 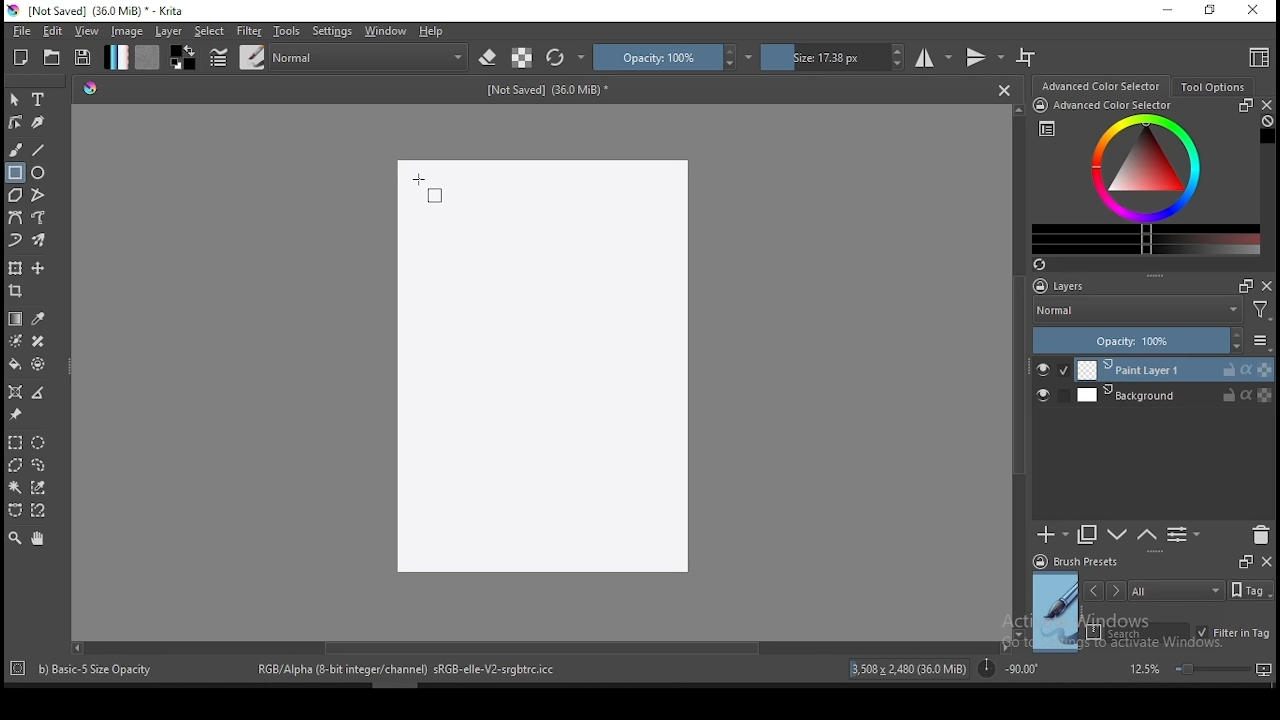 I want to click on tags, so click(x=1176, y=590).